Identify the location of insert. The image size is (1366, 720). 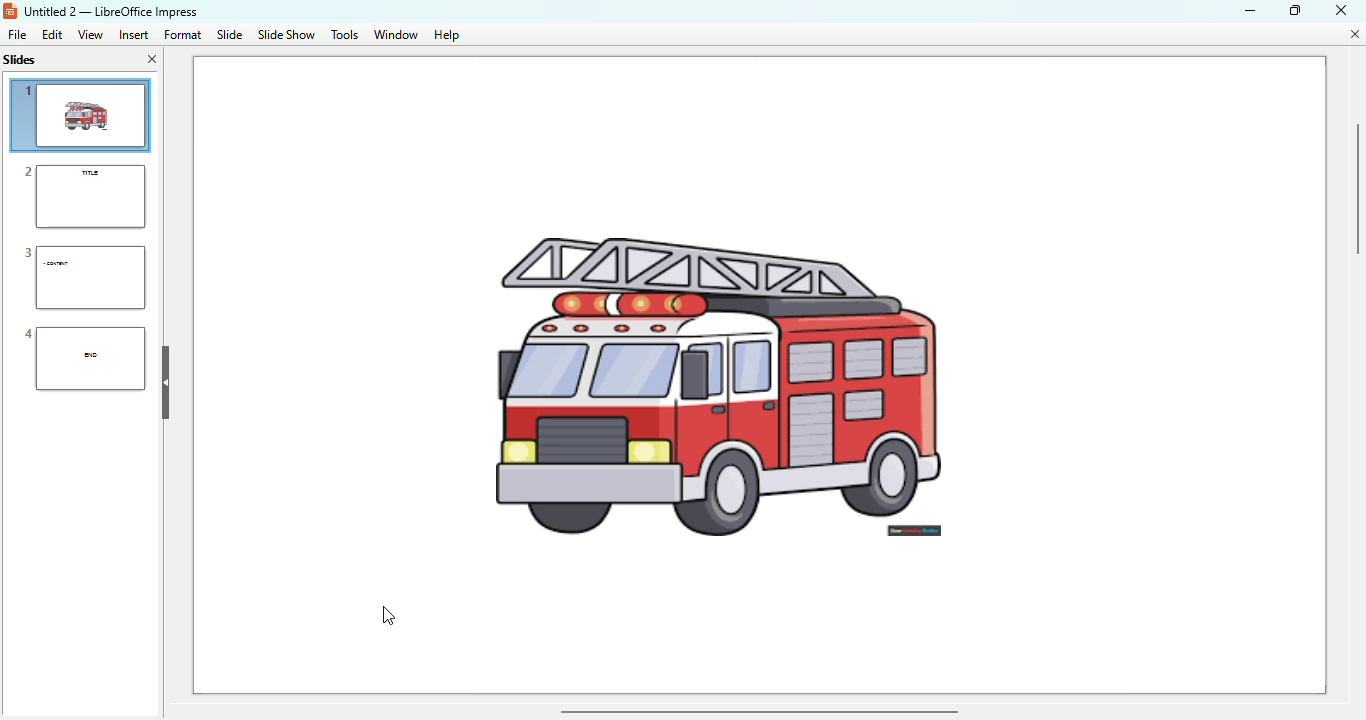
(134, 35).